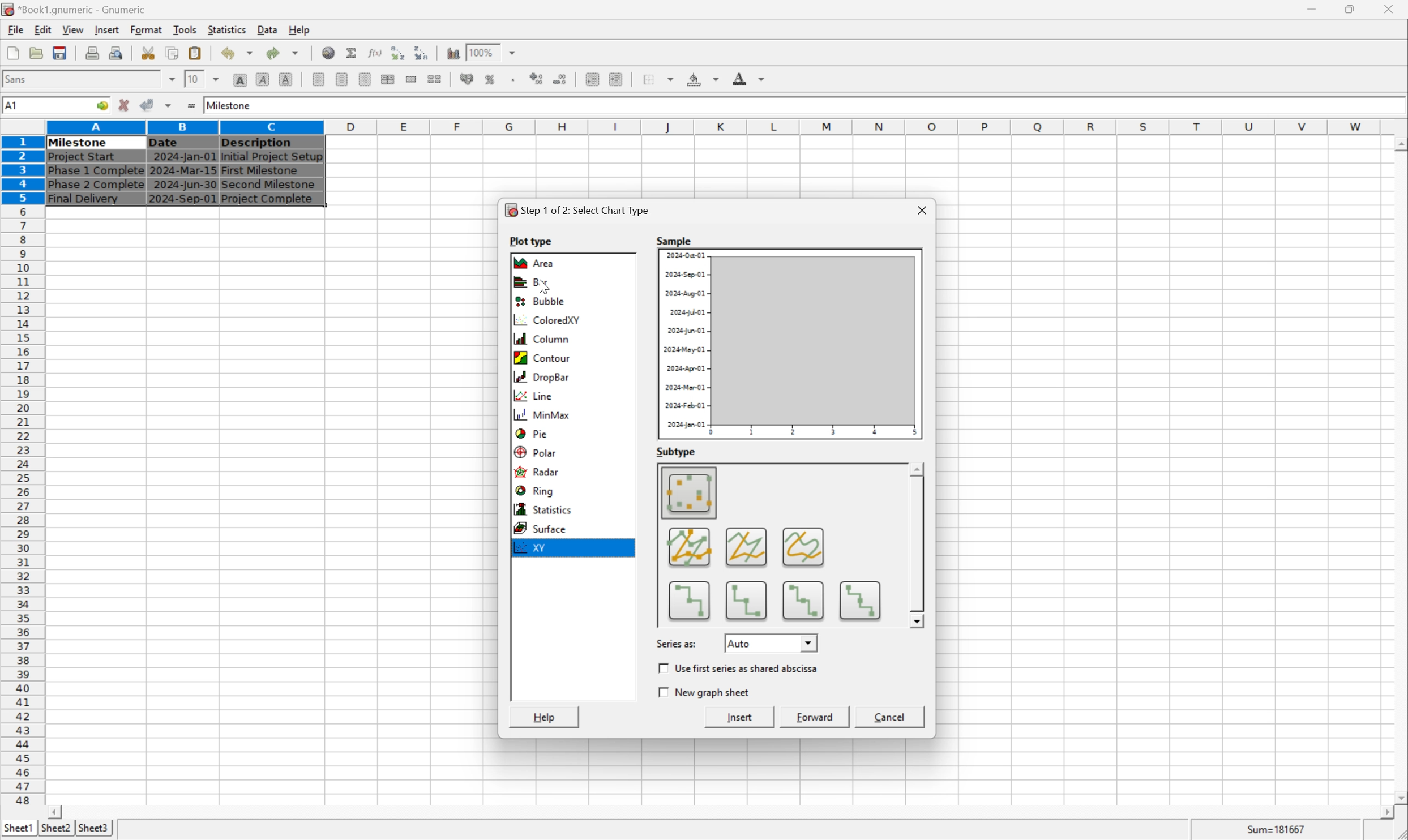  Describe the element at coordinates (145, 29) in the screenshot. I see `format` at that location.